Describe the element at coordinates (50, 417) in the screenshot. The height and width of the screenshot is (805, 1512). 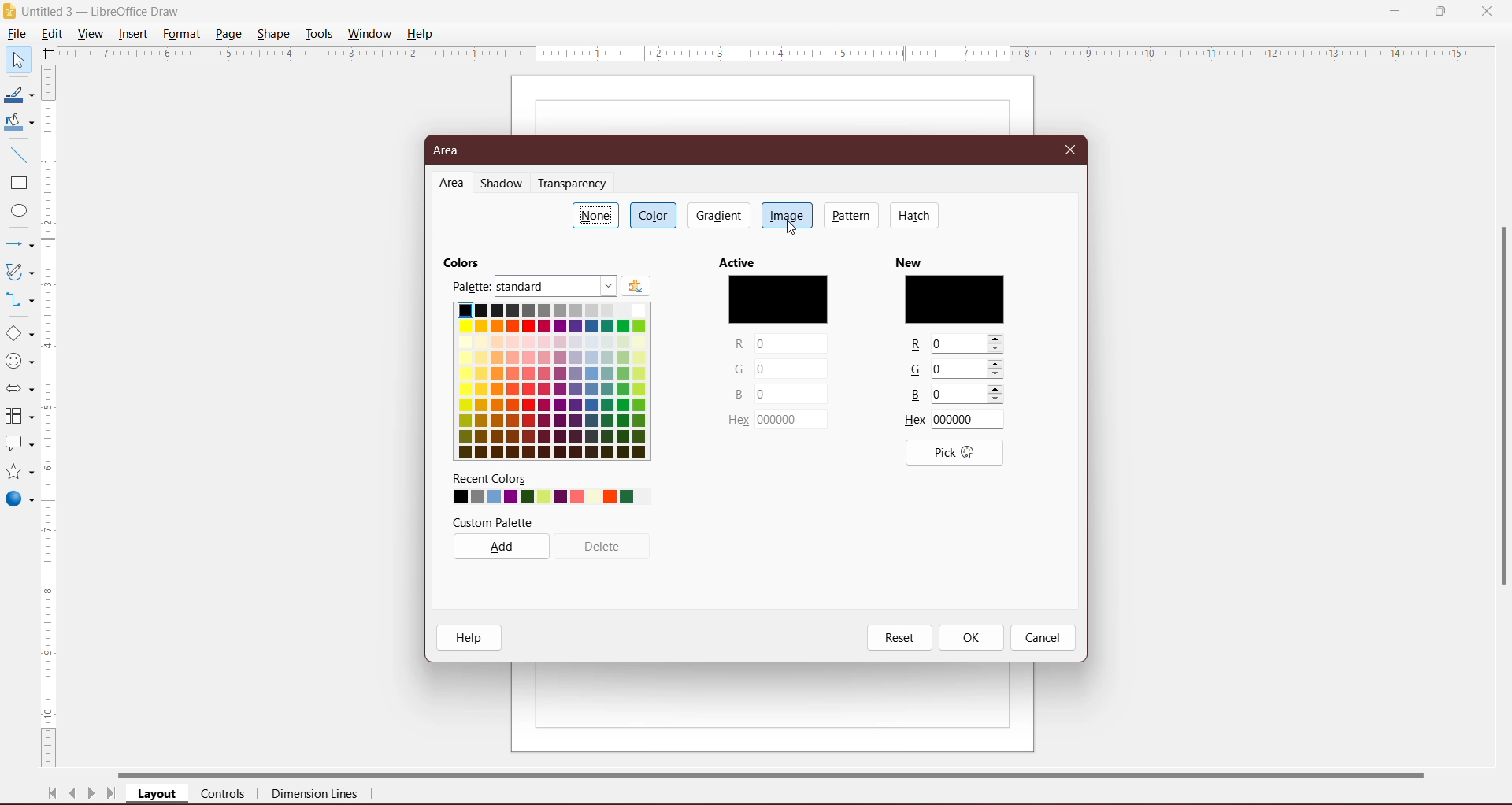
I see `Vertical Scroll Bar` at that location.